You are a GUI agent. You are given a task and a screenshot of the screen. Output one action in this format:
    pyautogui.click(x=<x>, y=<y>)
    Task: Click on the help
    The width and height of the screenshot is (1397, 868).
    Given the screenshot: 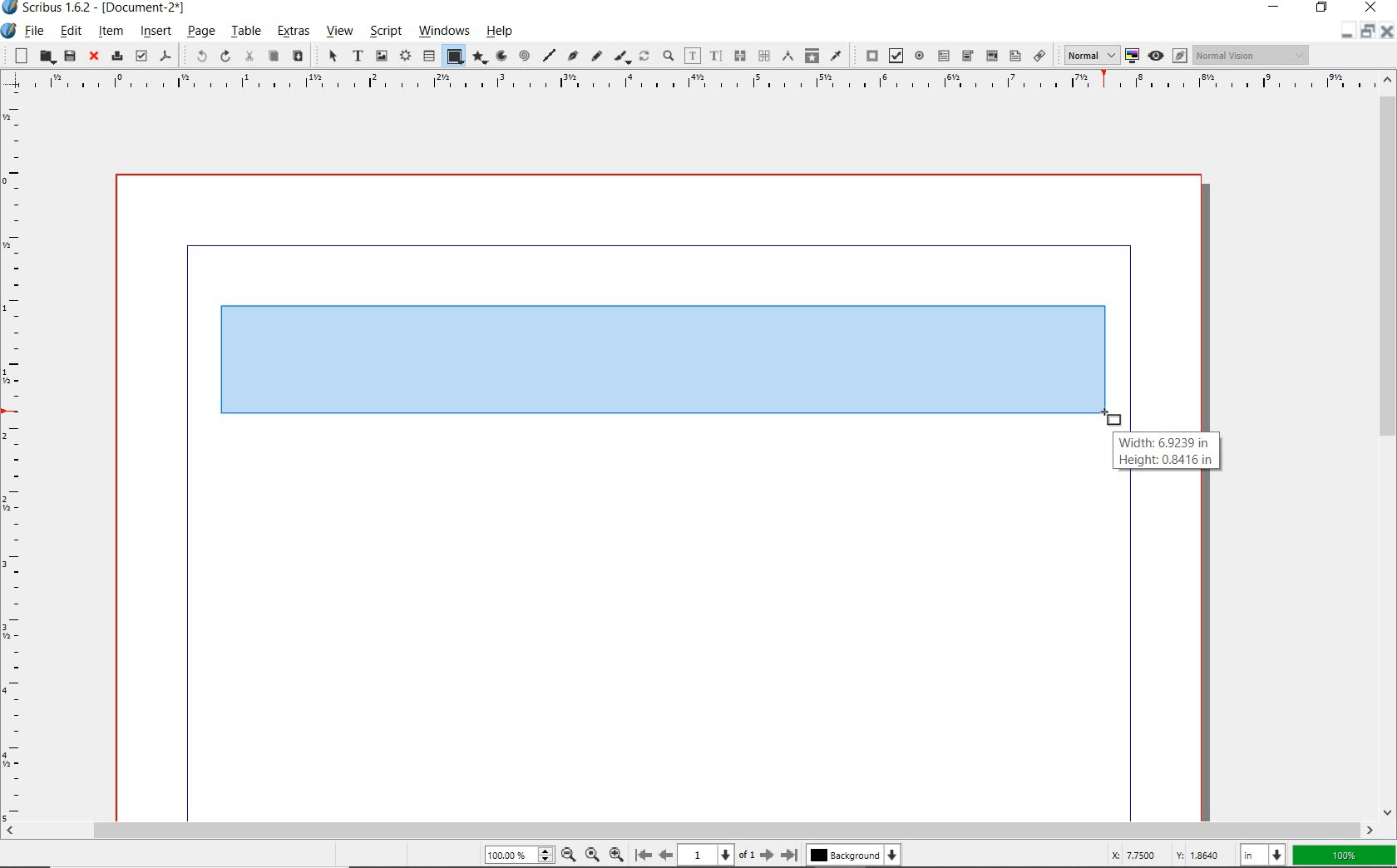 What is the action you would take?
    pyautogui.click(x=502, y=31)
    